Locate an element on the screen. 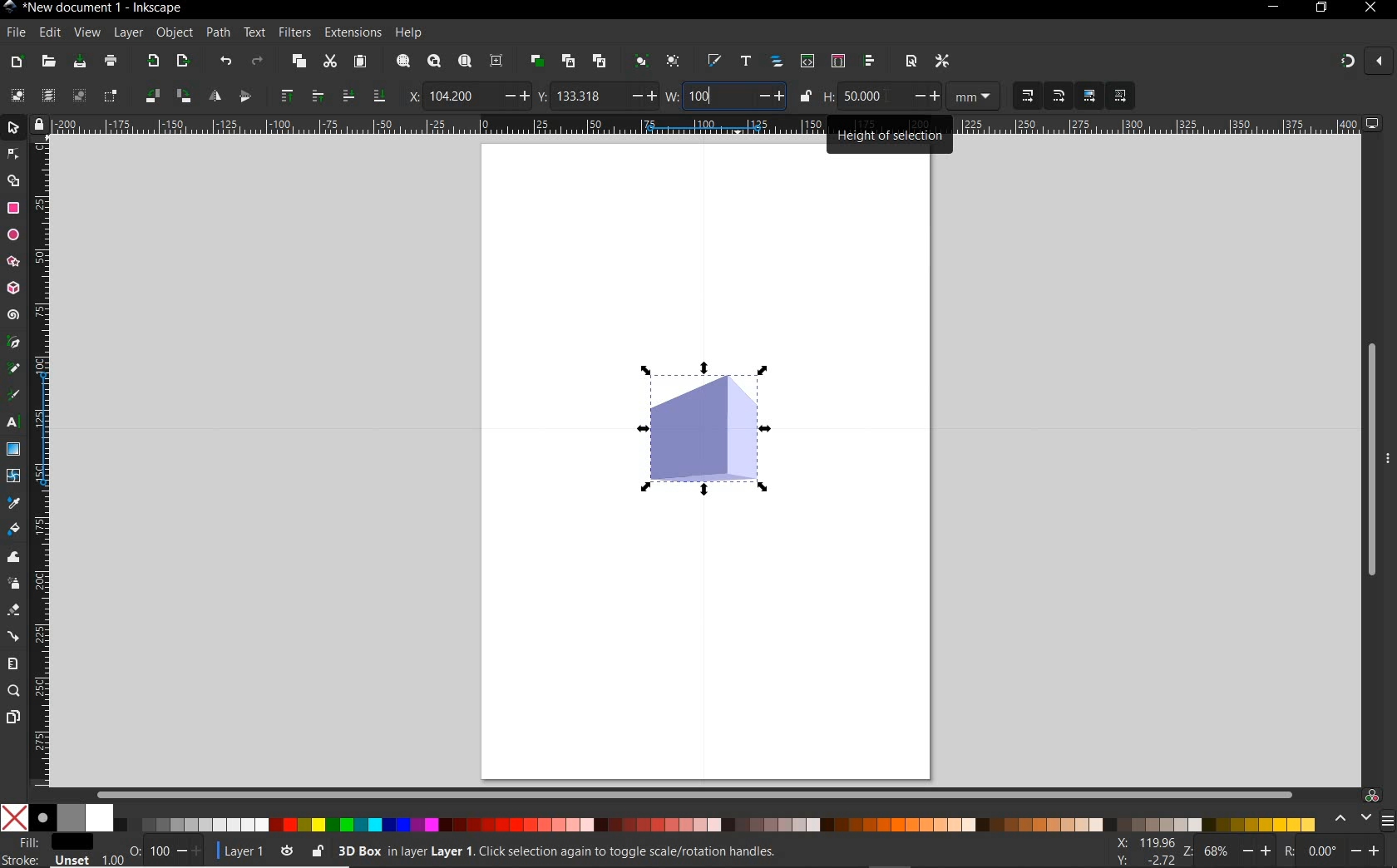 This screenshot has height=868, width=1397. deselect is located at coordinates (78, 96).